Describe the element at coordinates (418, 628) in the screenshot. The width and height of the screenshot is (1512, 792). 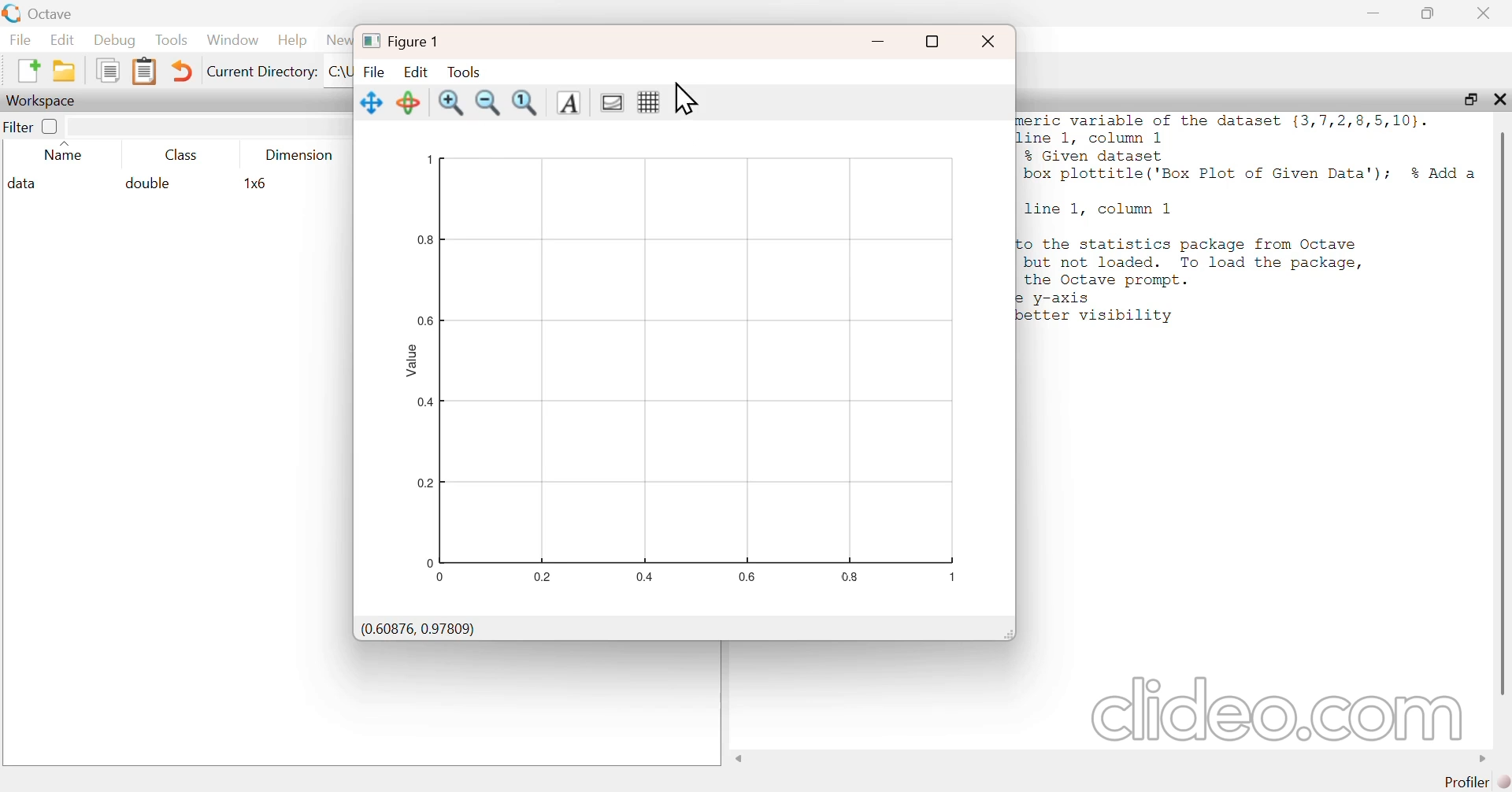
I see `(0.60876, 0.97809)` at that location.